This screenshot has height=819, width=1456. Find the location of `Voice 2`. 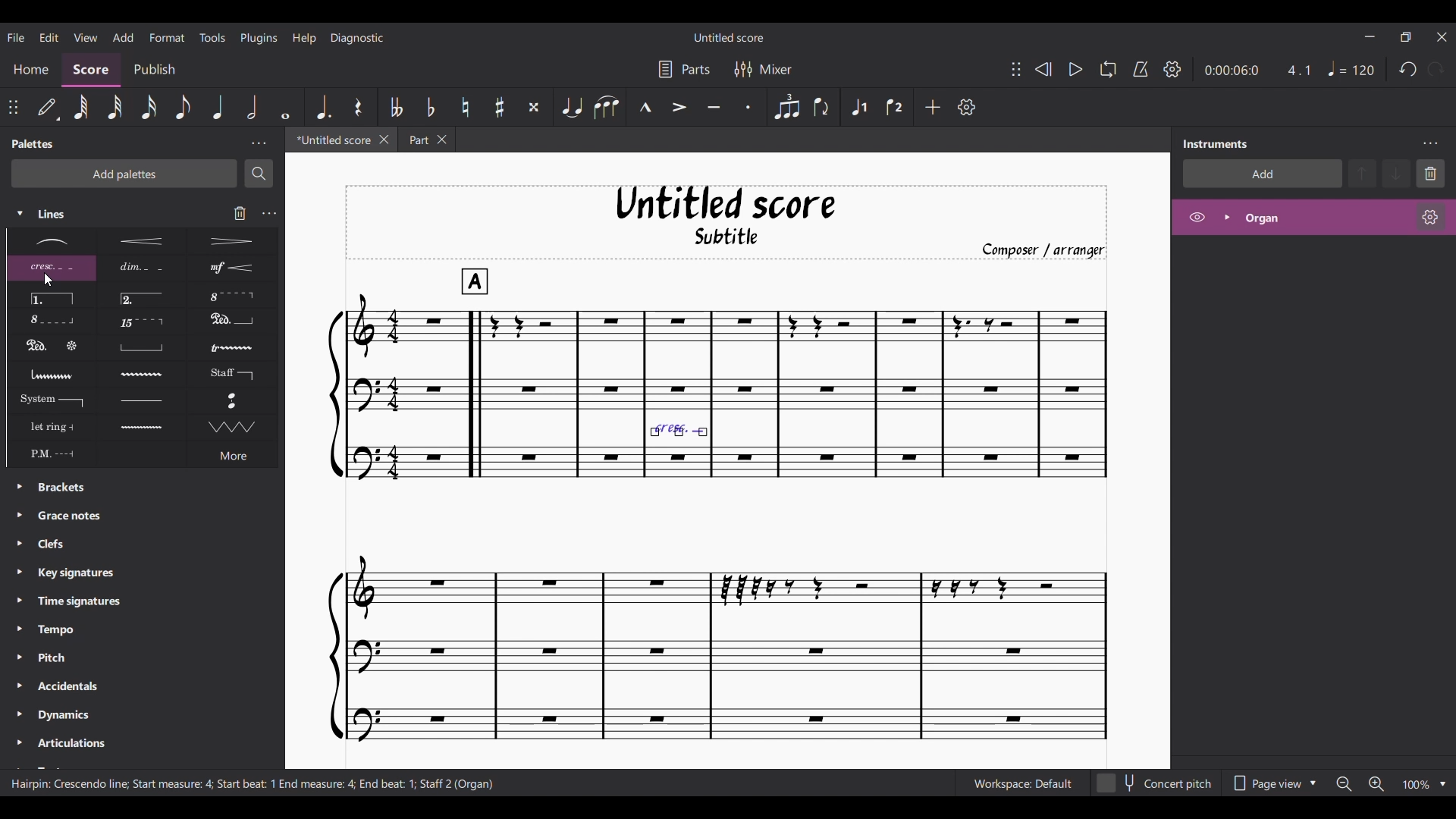

Voice 2 is located at coordinates (894, 107).